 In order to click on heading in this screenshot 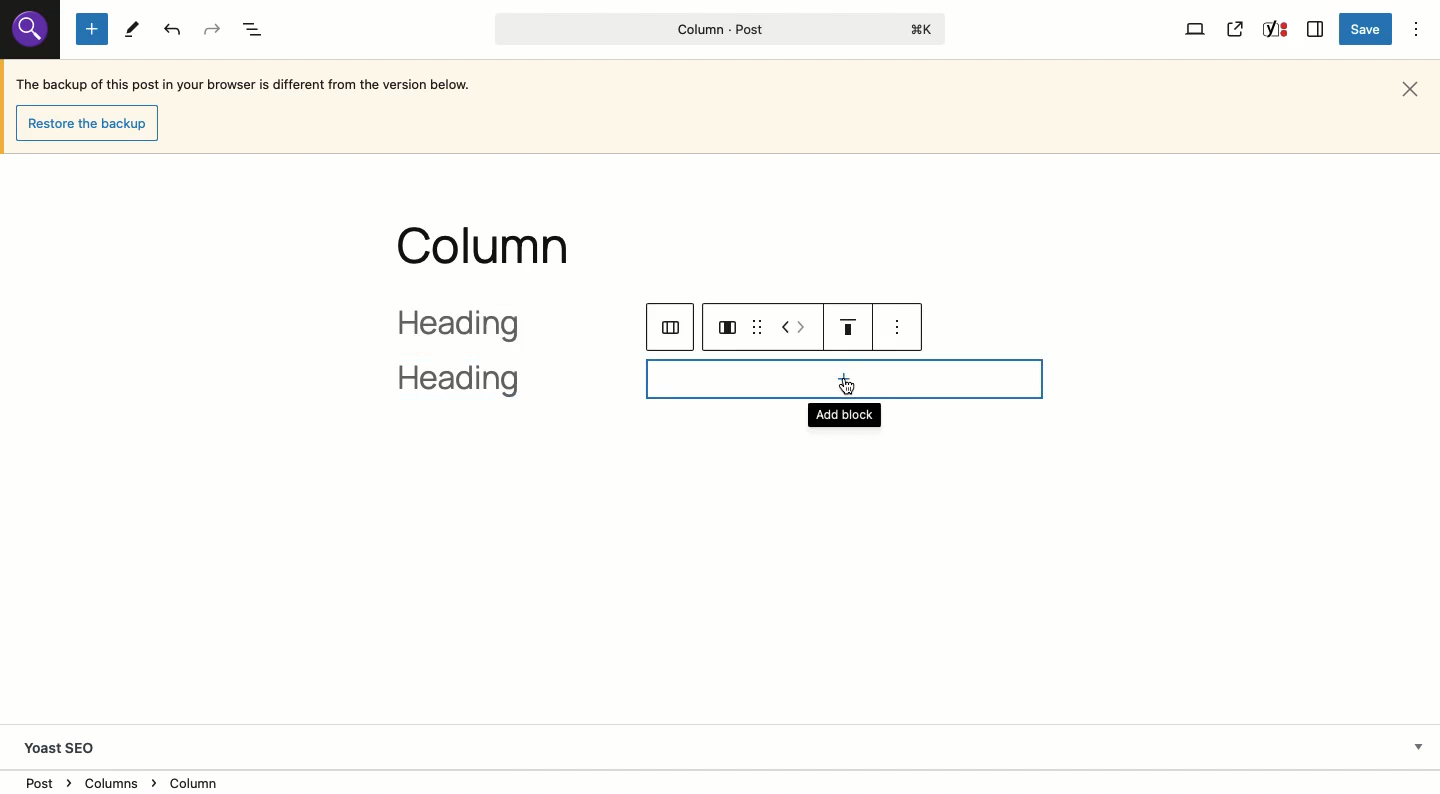, I will do `click(483, 356)`.